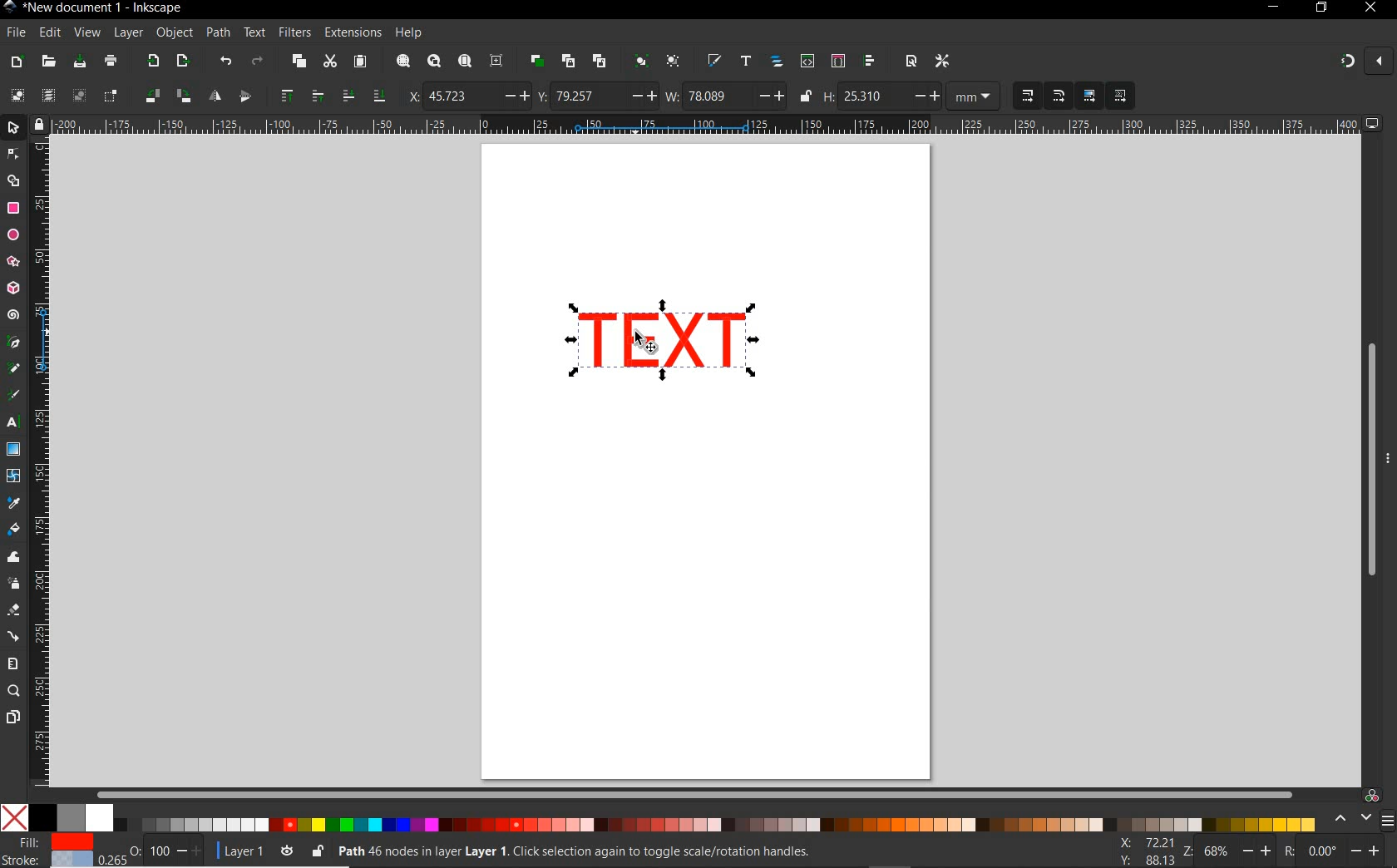 Image resolution: width=1397 pixels, height=868 pixels. What do you see at coordinates (807, 62) in the screenshot?
I see `OPEN XML EDITOR` at bounding box center [807, 62].